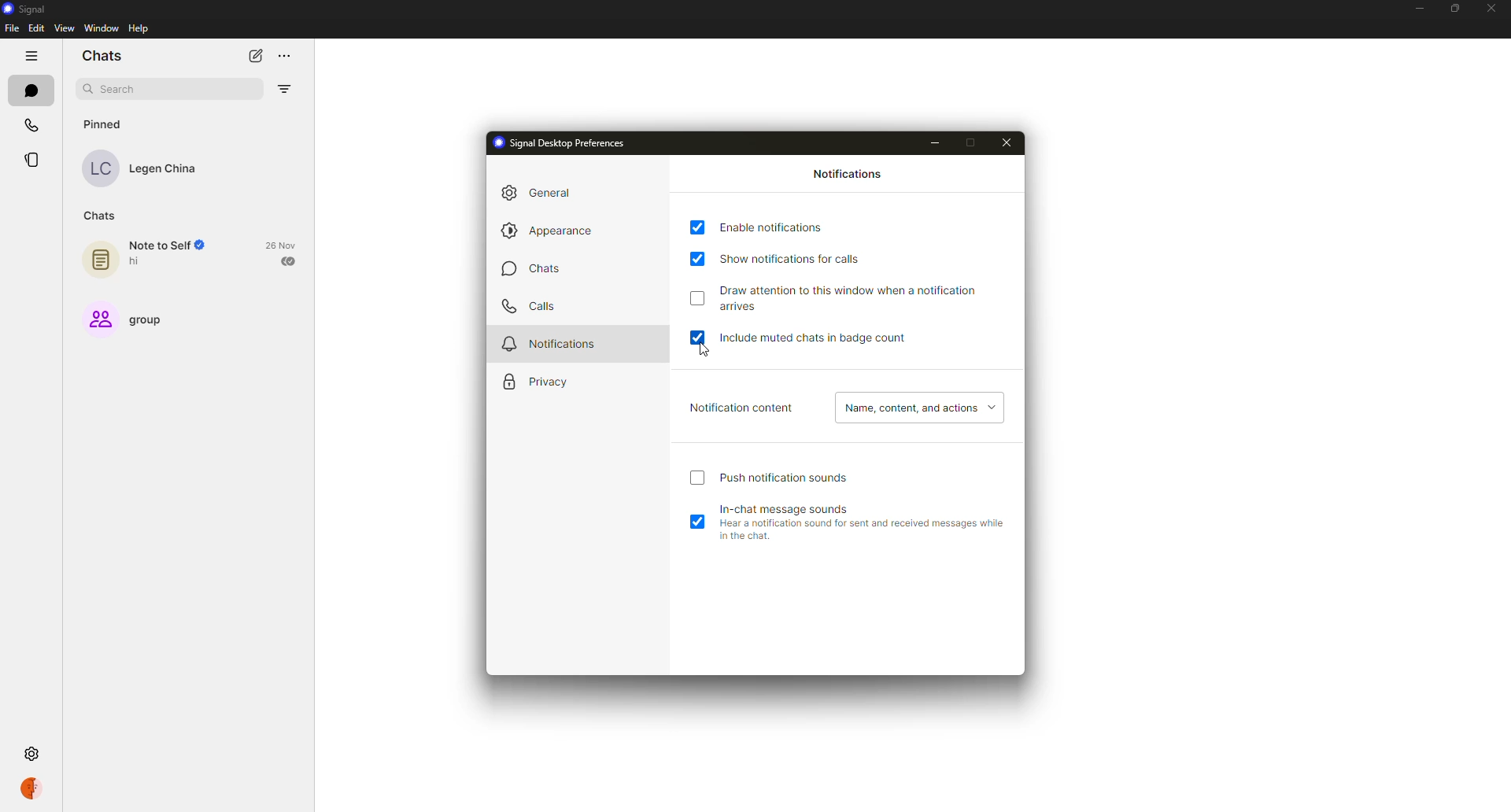  What do you see at coordinates (857, 296) in the screenshot?
I see `draw attention to this window when notification arrives` at bounding box center [857, 296].